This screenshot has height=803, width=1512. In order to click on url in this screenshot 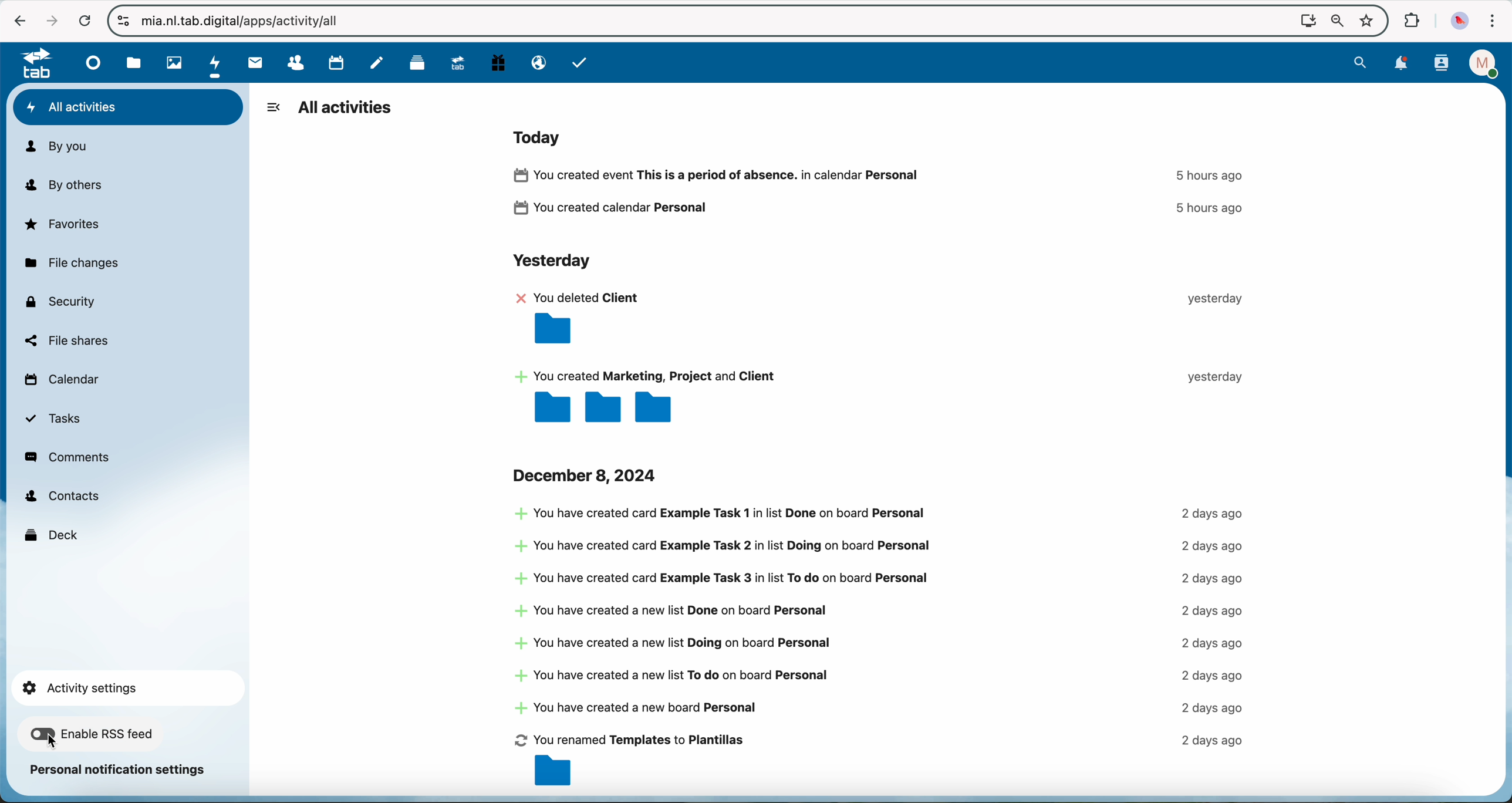, I will do `click(248, 22)`.